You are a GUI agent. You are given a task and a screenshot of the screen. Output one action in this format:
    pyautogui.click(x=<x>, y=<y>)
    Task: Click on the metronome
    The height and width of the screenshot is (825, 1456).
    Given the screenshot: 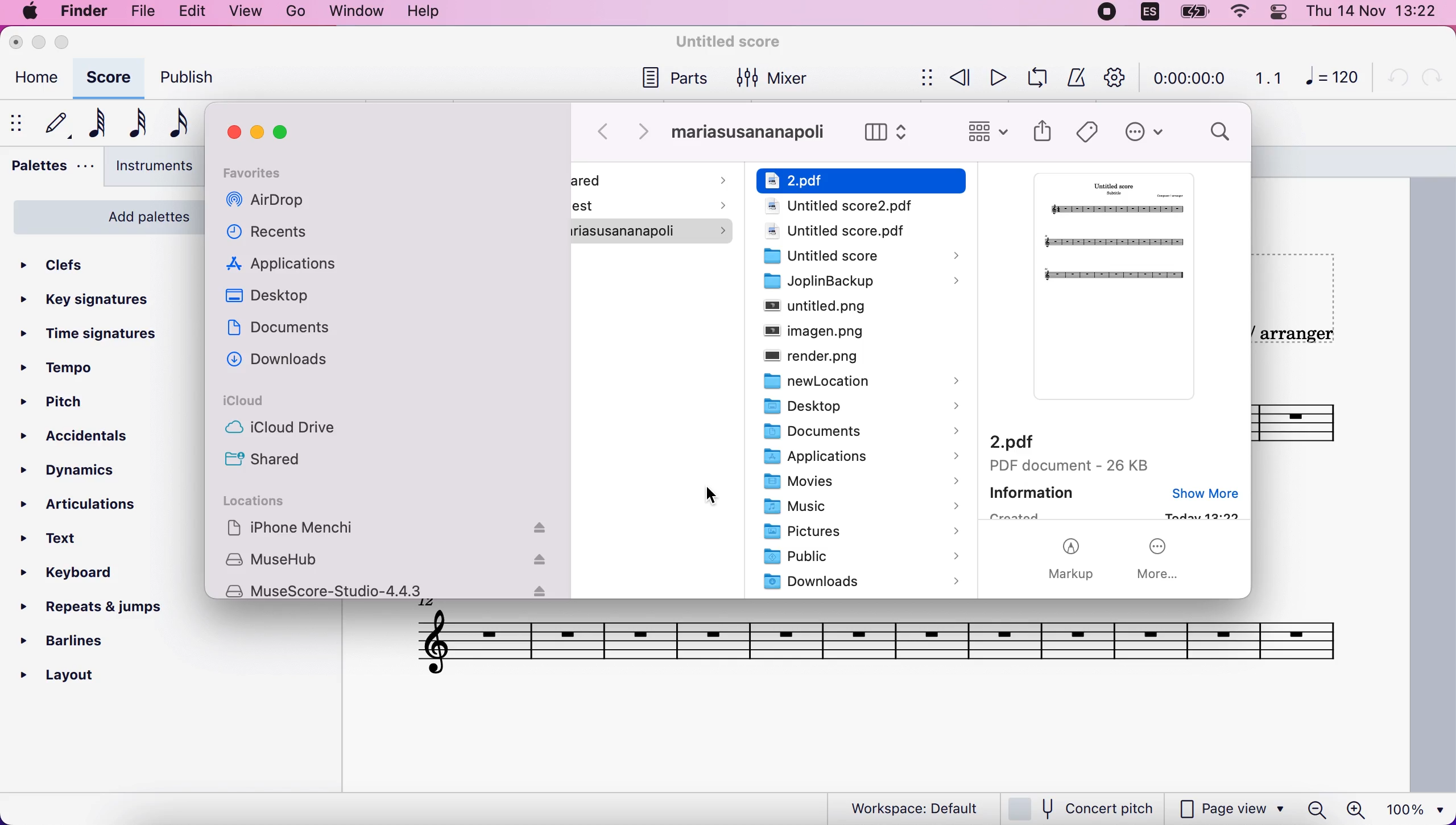 What is the action you would take?
    pyautogui.click(x=1074, y=78)
    